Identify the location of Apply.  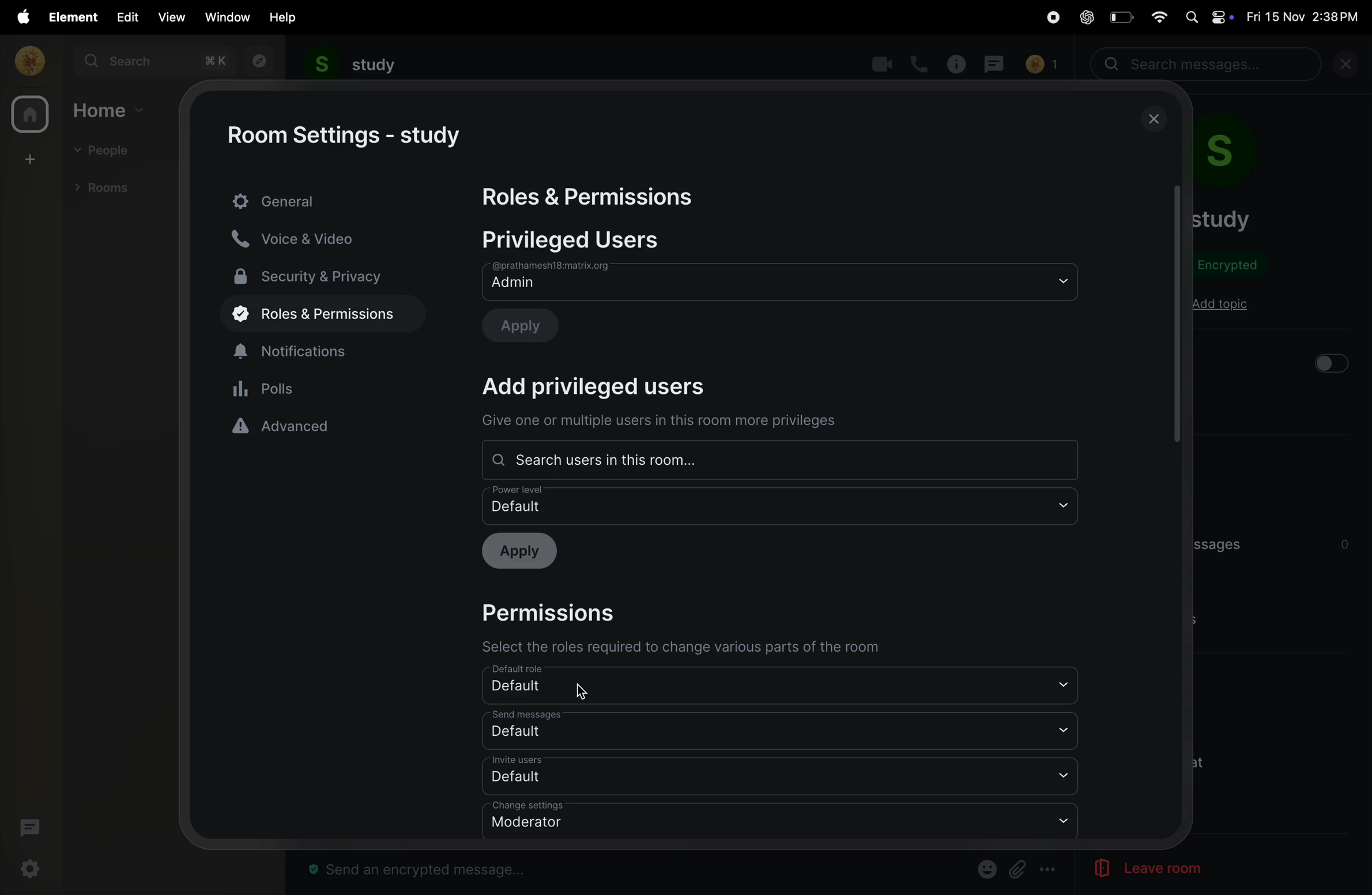
(526, 552).